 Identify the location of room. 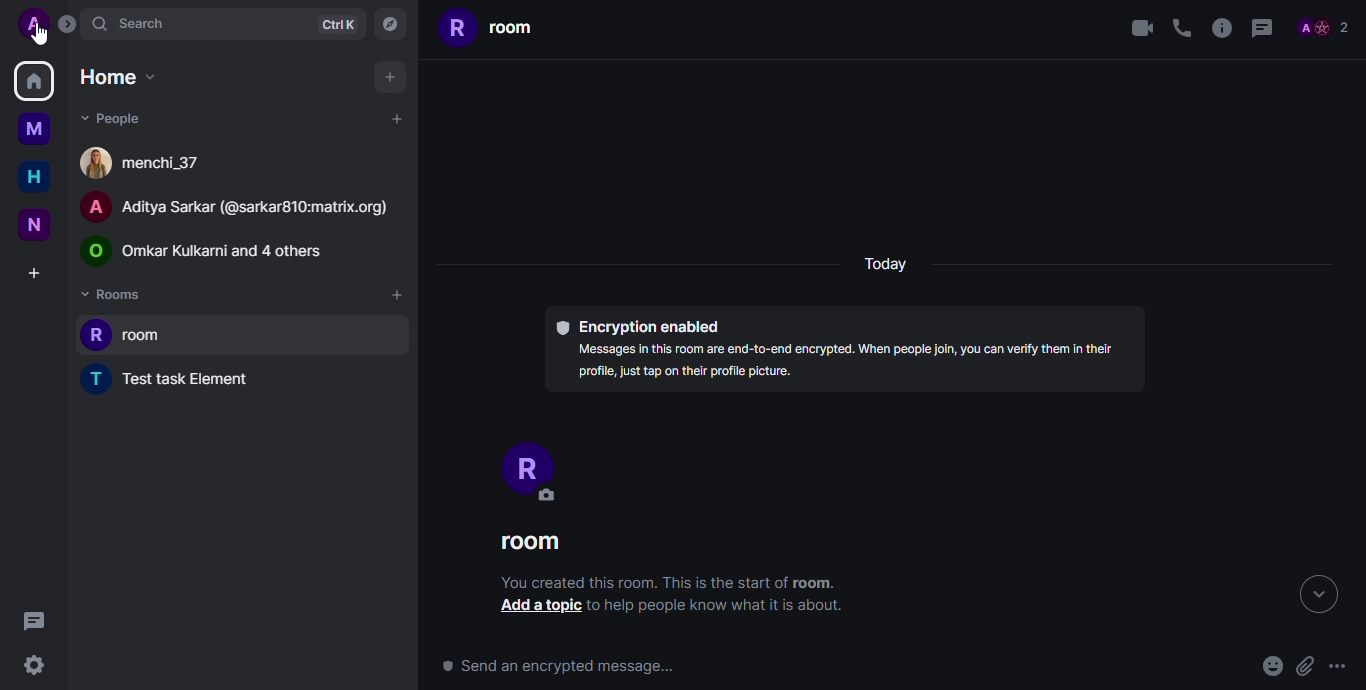
(489, 27).